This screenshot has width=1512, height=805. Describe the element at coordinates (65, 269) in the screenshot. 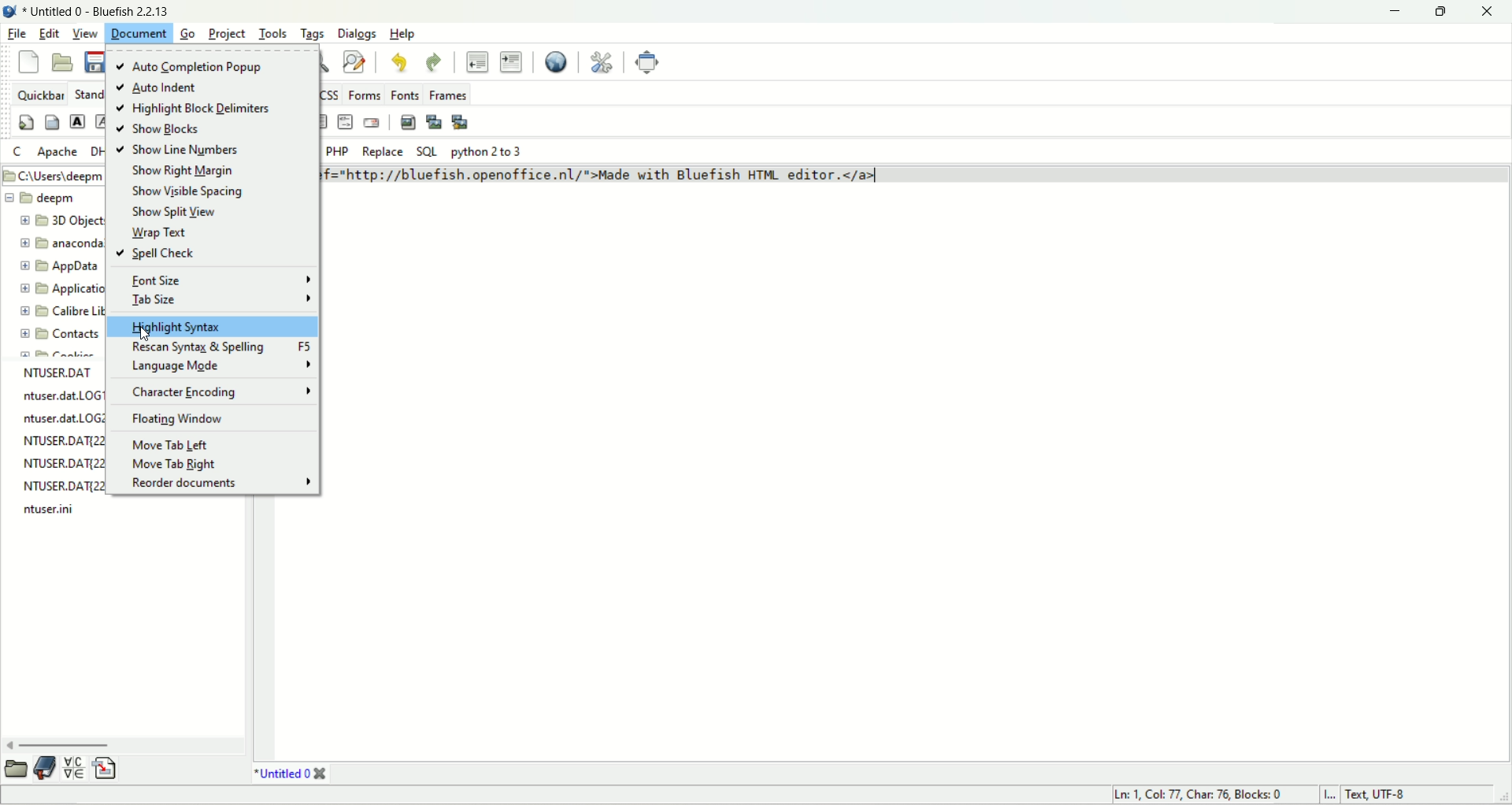

I see `app data` at that location.